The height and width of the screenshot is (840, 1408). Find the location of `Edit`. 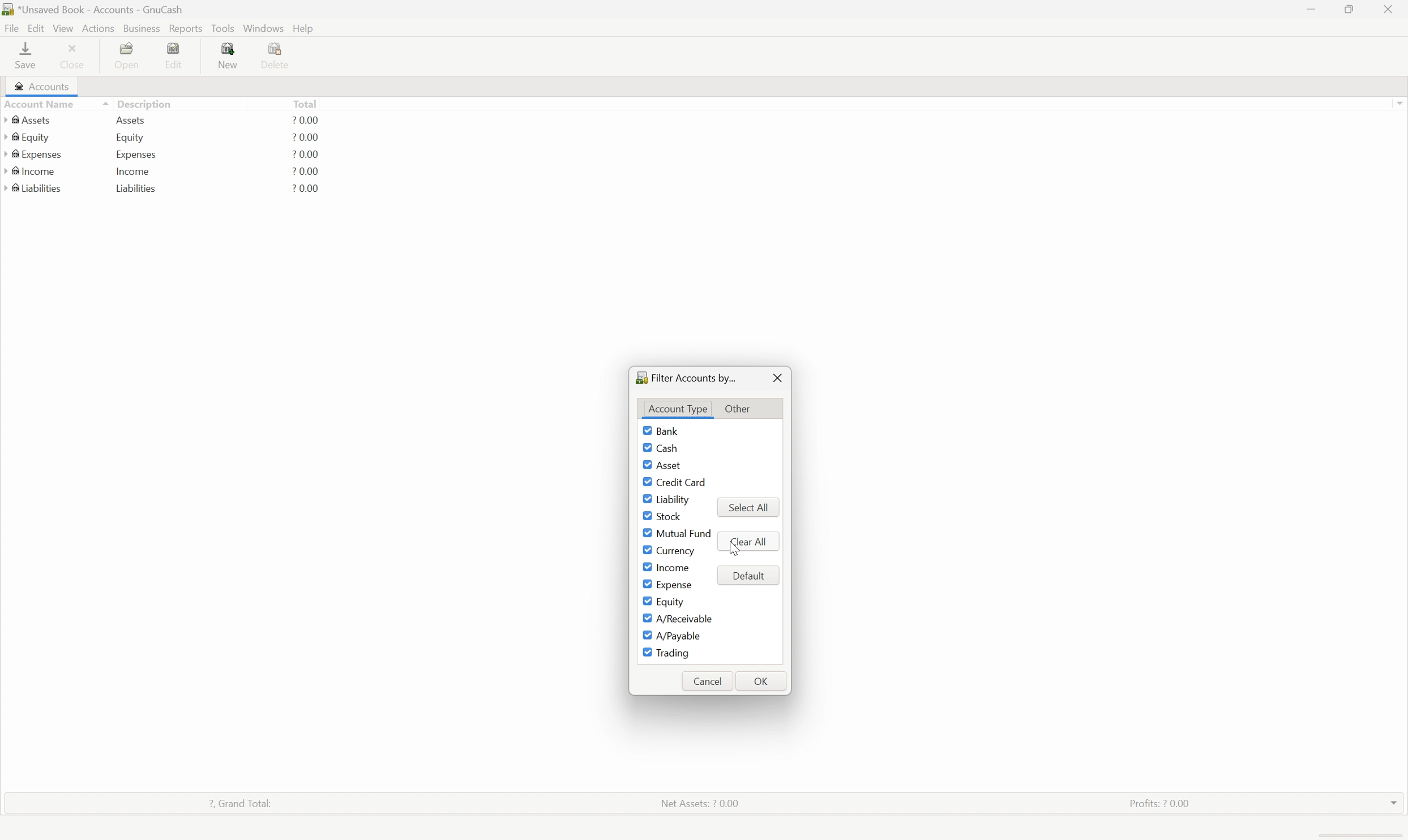

Edit is located at coordinates (176, 55).